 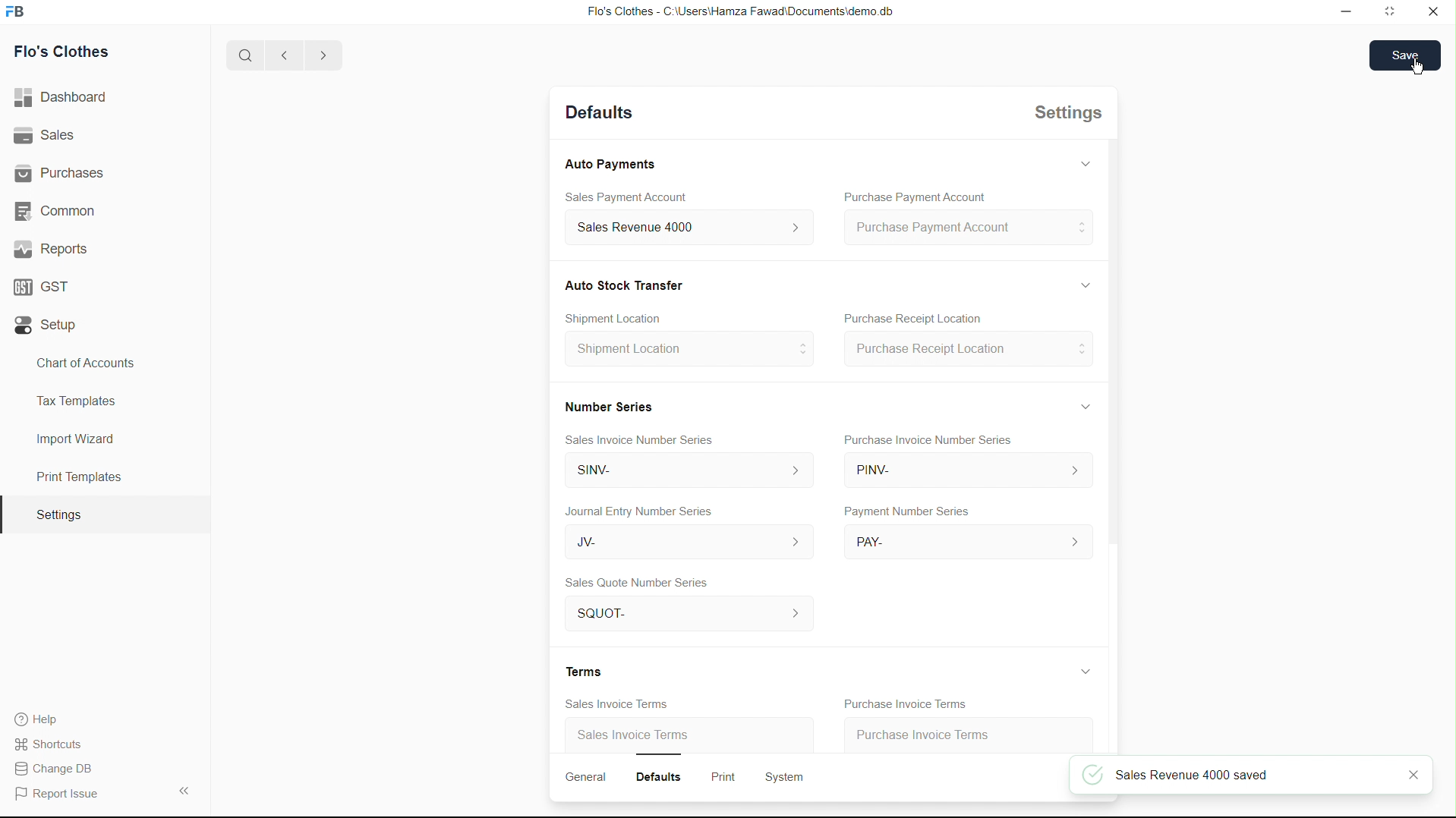 I want to click on Purchase Receipt Location, so click(x=971, y=348).